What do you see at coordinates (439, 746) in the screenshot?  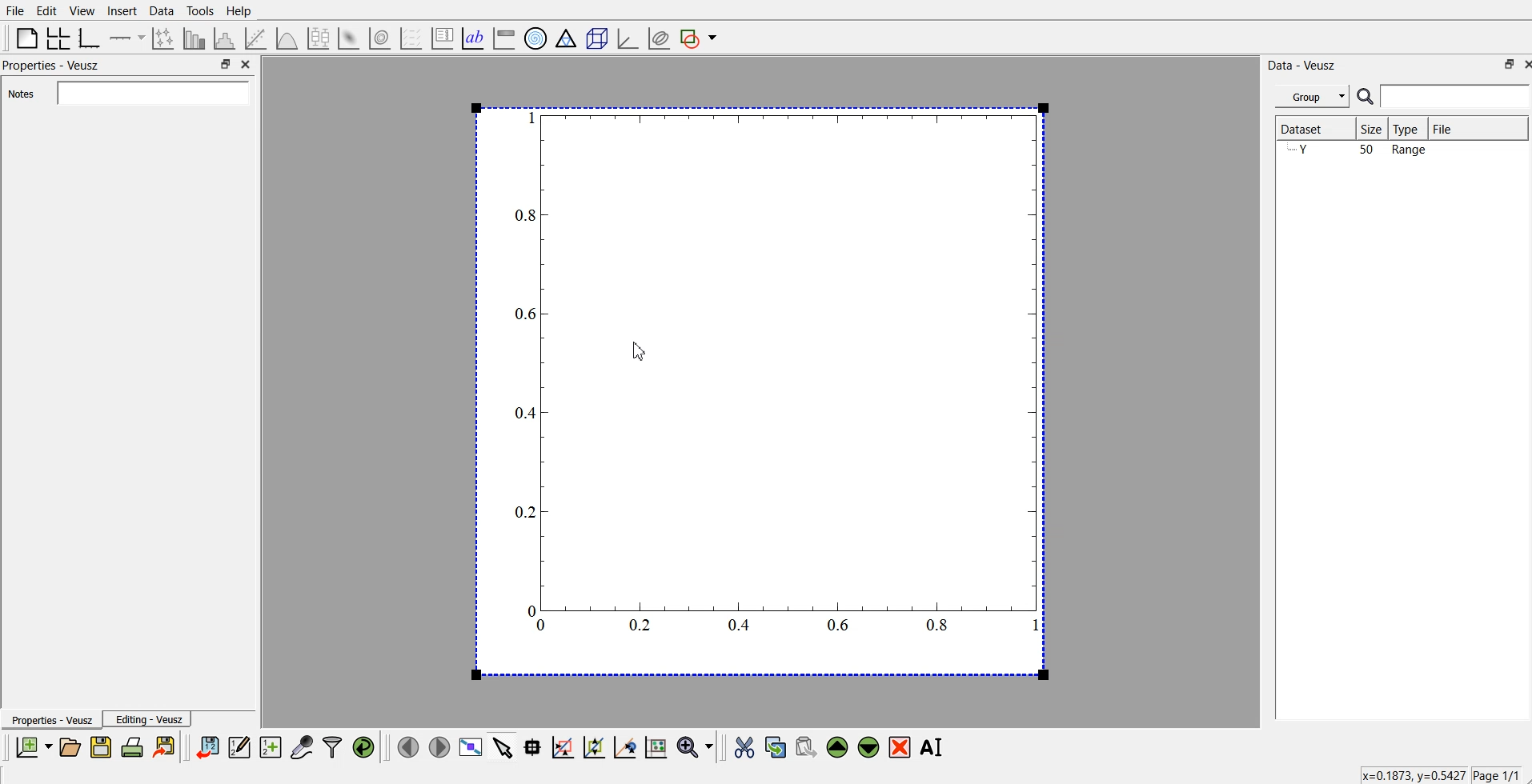 I see `move to next page` at bounding box center [439, 746].